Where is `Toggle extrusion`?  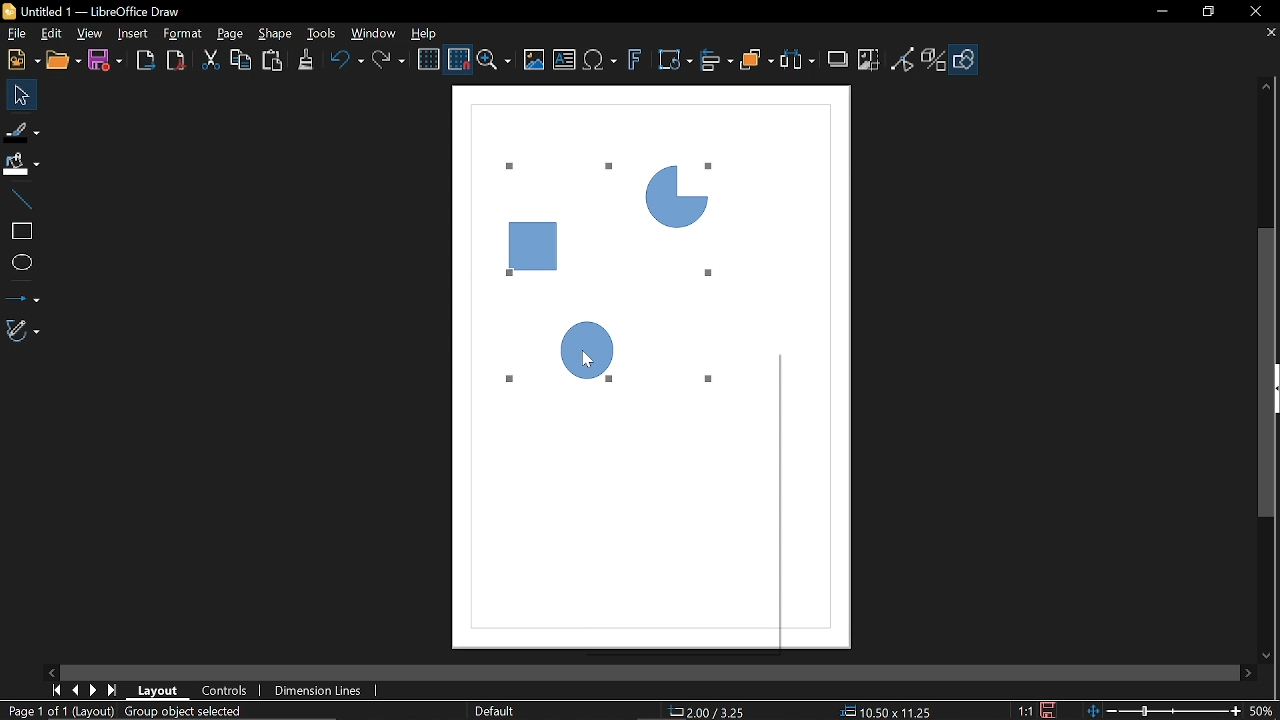 Toggle extrusion is located at coordinates (933, 62).